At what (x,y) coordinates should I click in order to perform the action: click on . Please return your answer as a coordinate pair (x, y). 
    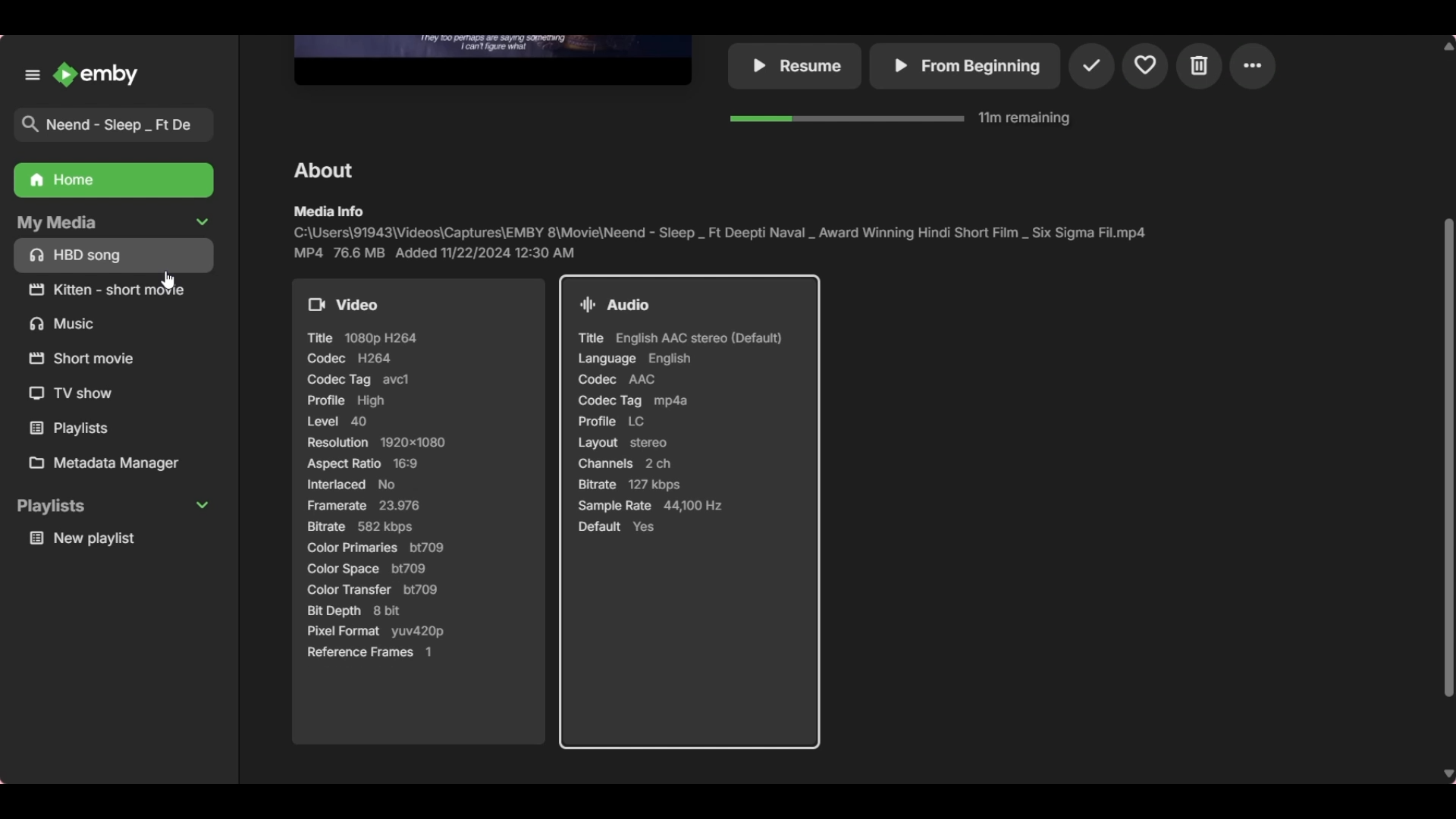
    Looking at the image, I should click on (491, 58).